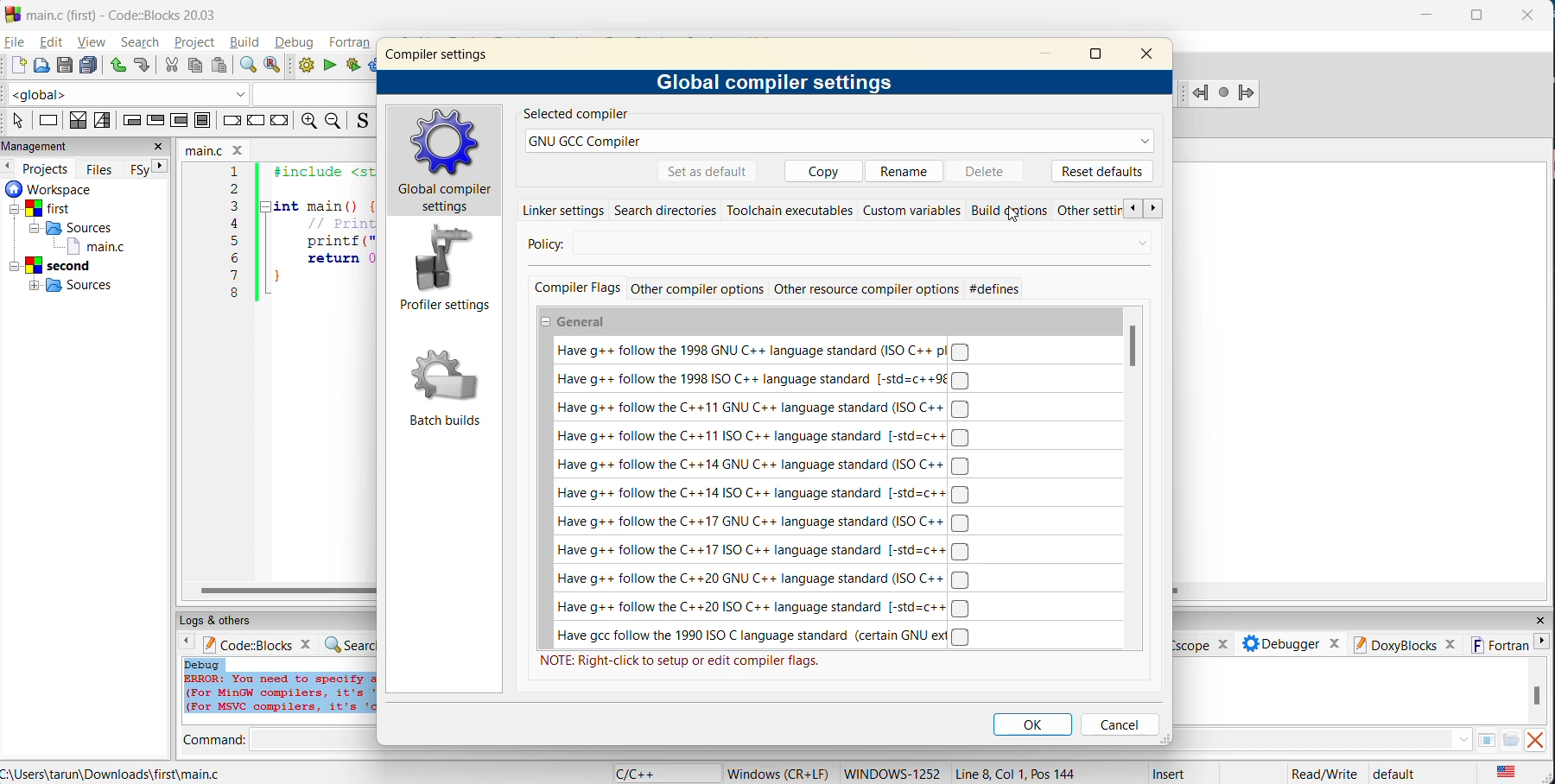 The width and height of the screenshot is (1555, 784). I want to click on search directories, so click(665, 210).